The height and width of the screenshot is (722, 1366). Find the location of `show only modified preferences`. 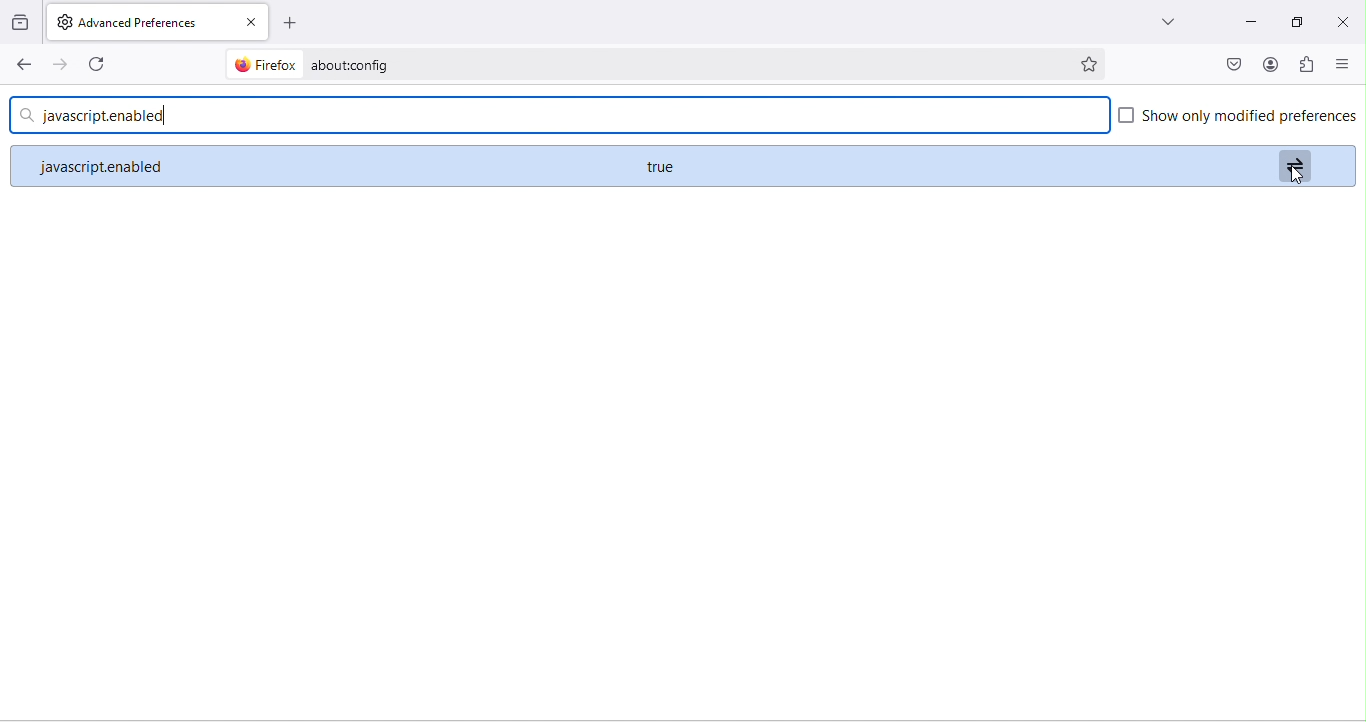

show only modified preferences is located at coordinates (1238, 119).